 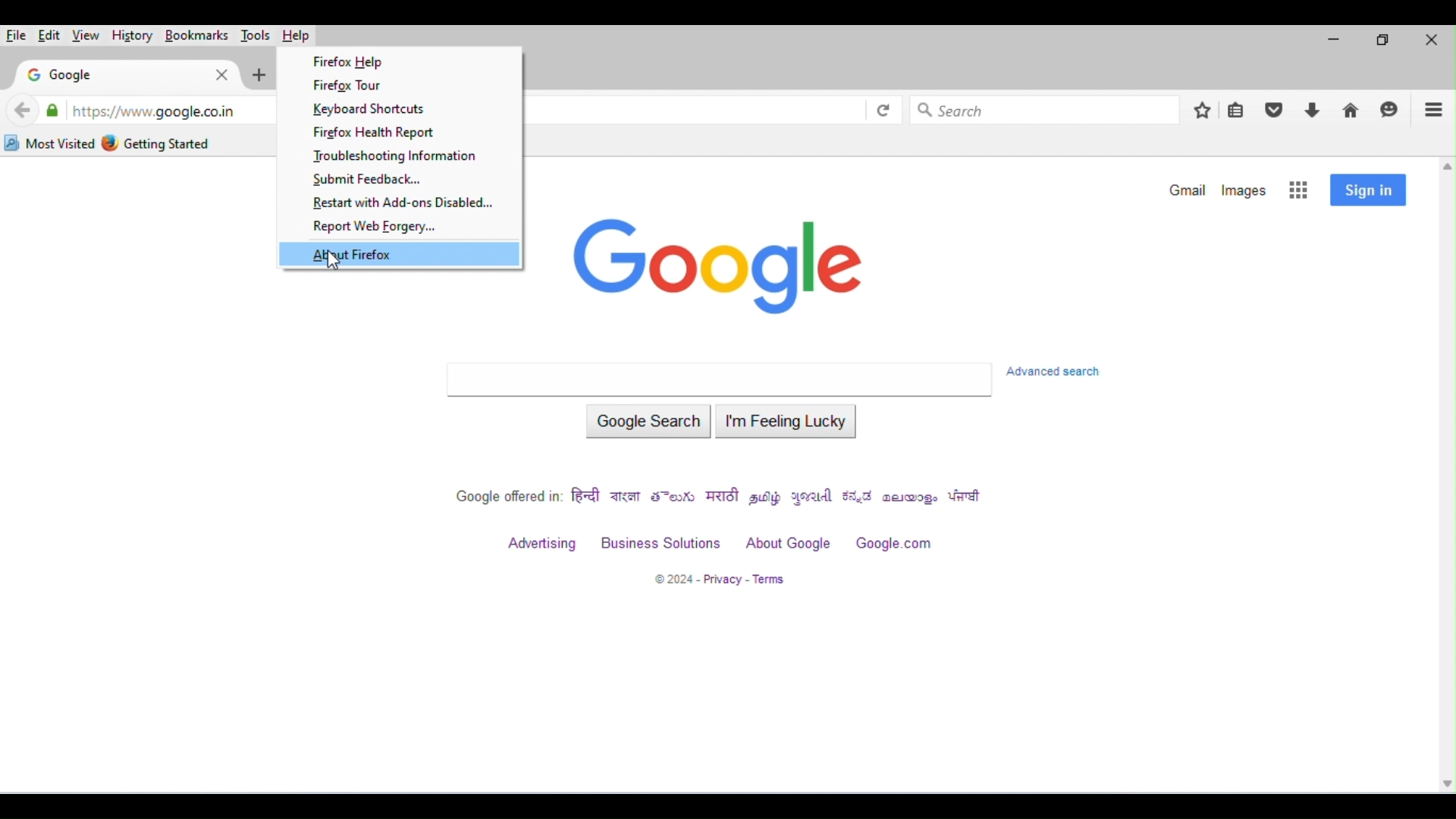 I want to click on gmail, so click(x=1185, y=190).